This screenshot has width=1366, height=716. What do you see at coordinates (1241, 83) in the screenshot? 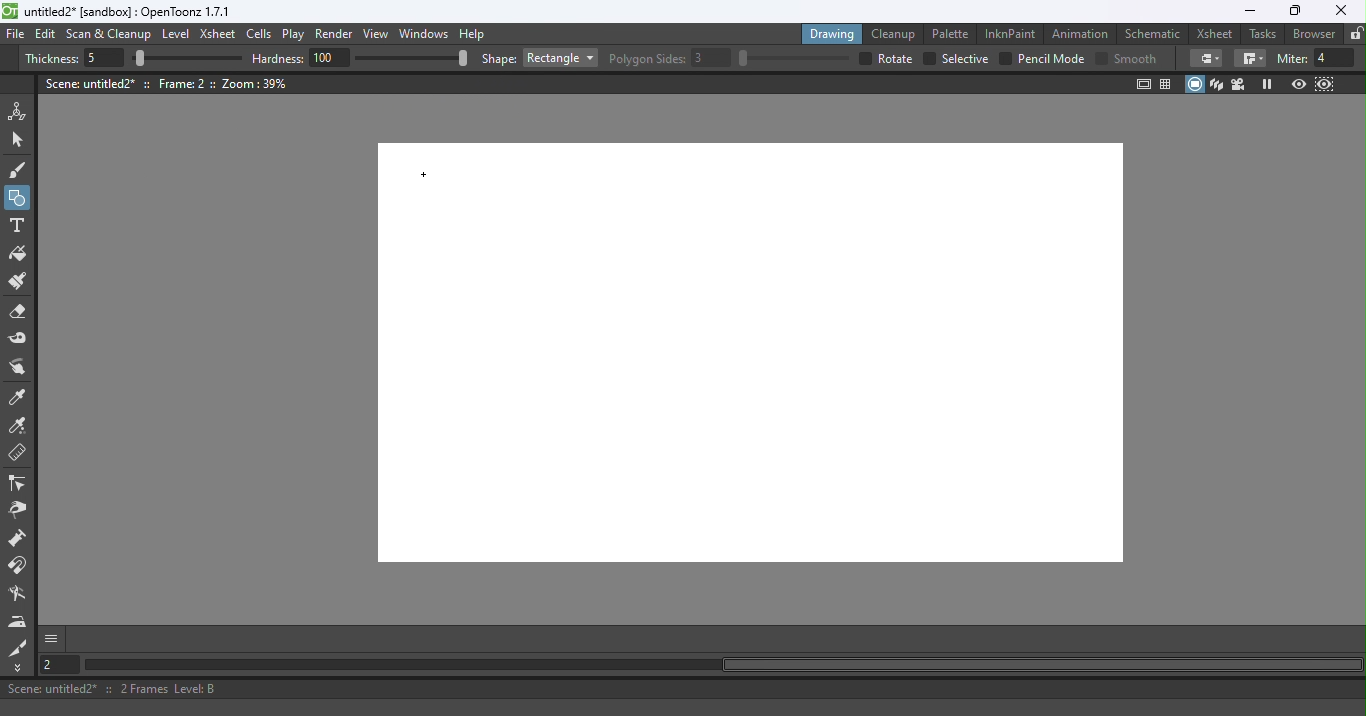
I see `Camera view` at bounding box center [1241, 83].